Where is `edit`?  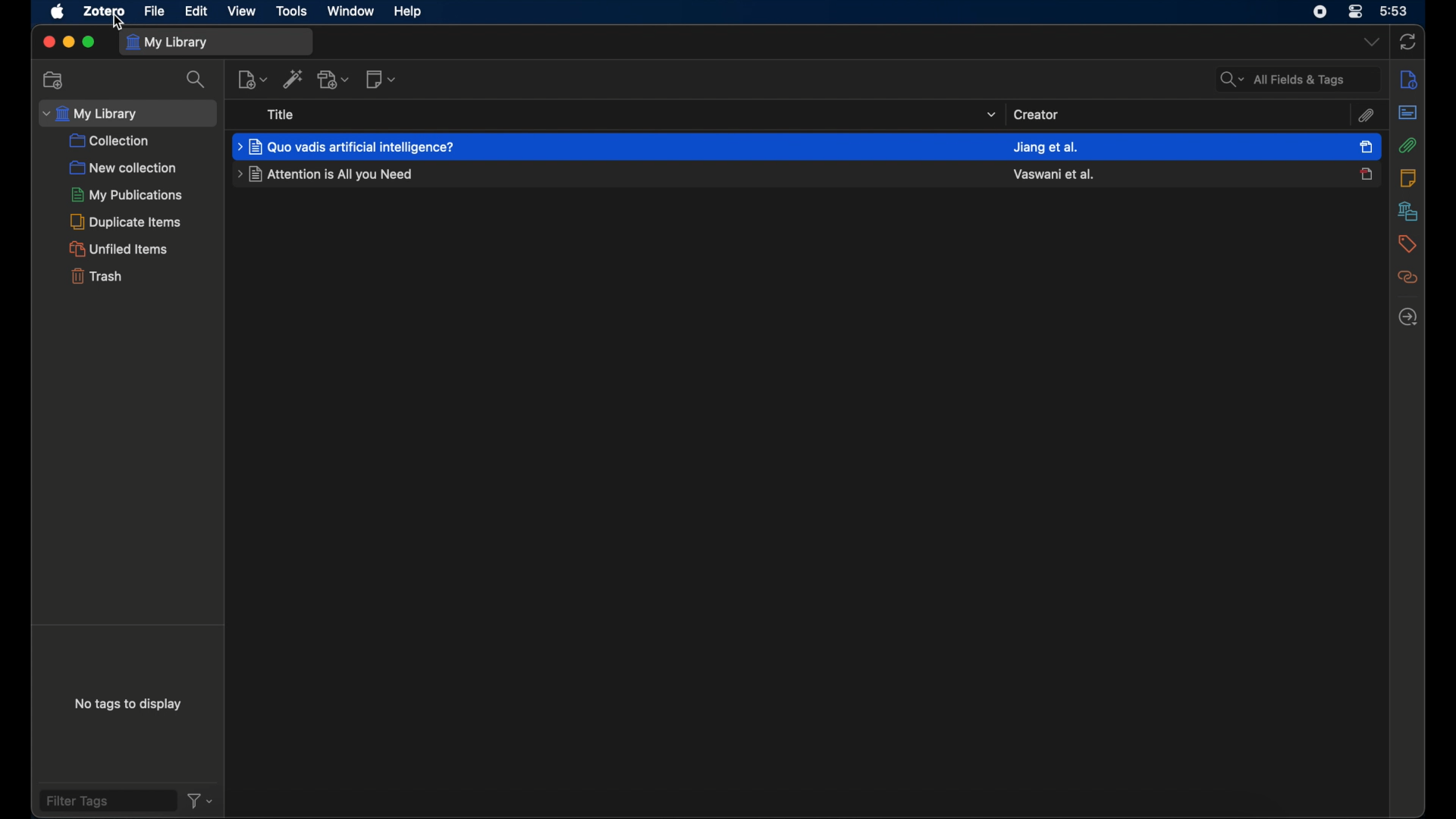 edit is located at coordinates (196, 11).